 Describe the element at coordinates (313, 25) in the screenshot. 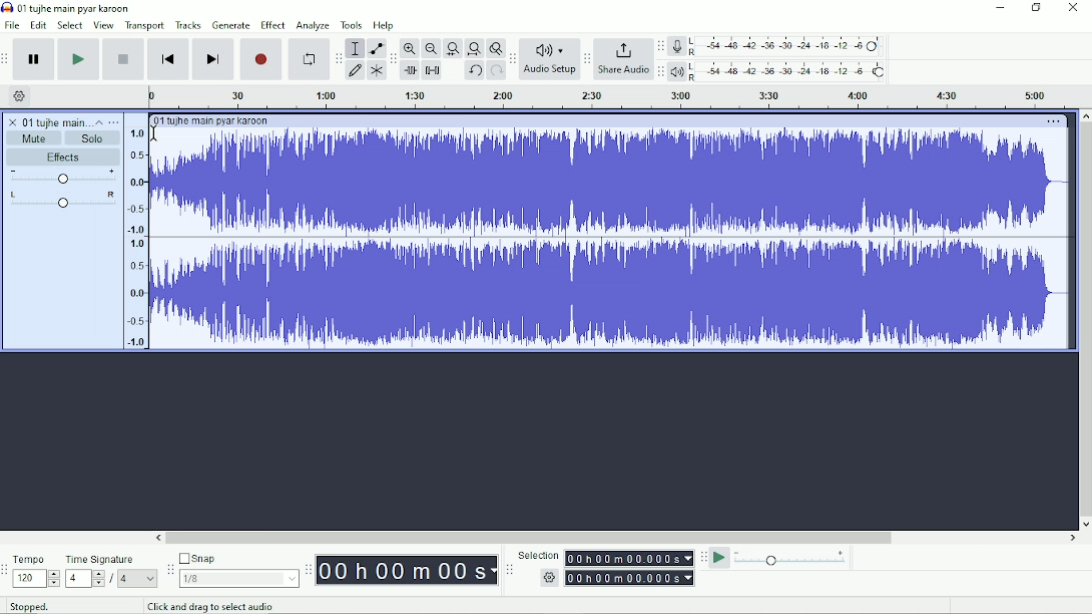

I see `Analyze` at that location.